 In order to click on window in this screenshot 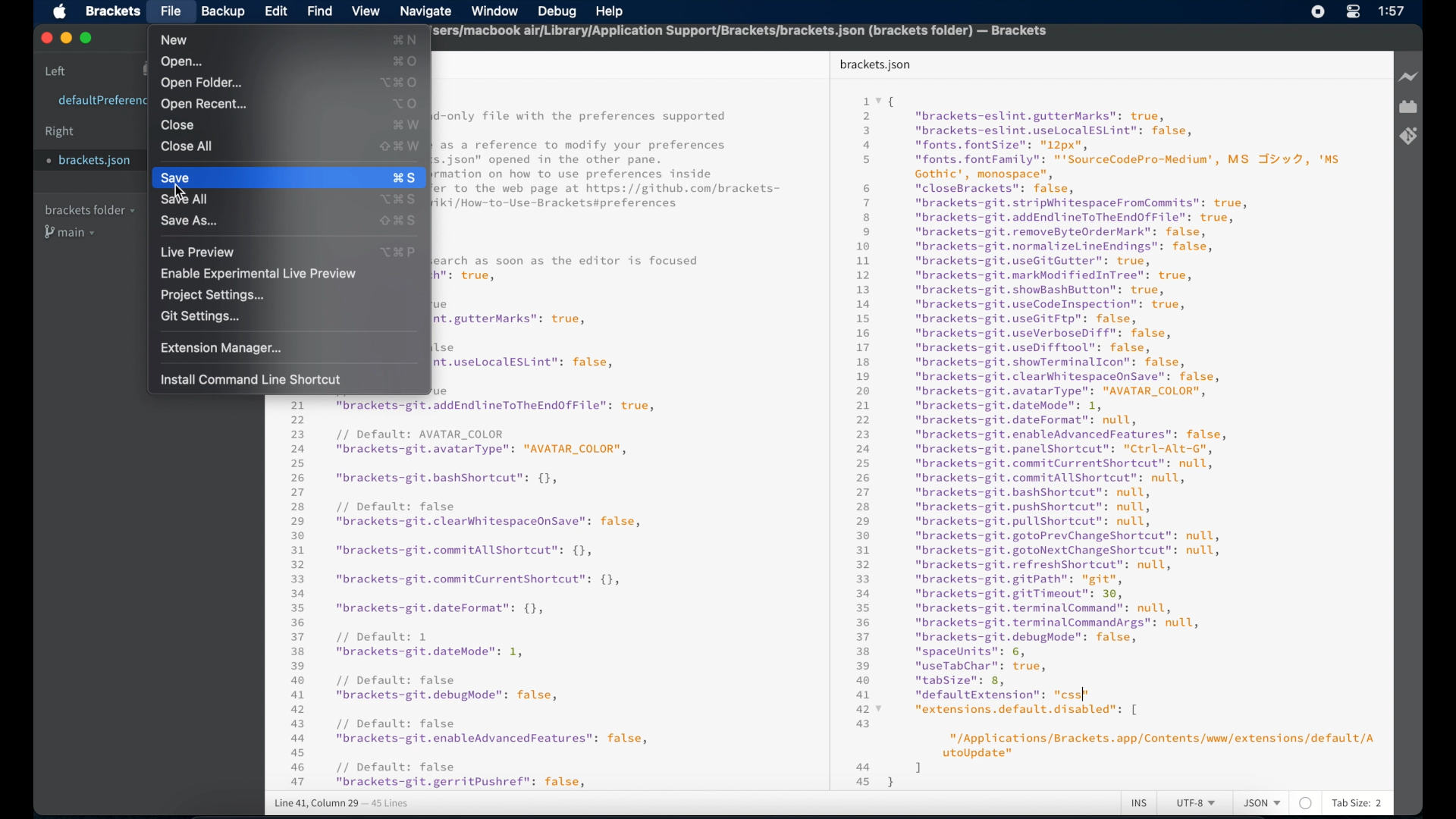, I will do `click(494, 11)`.